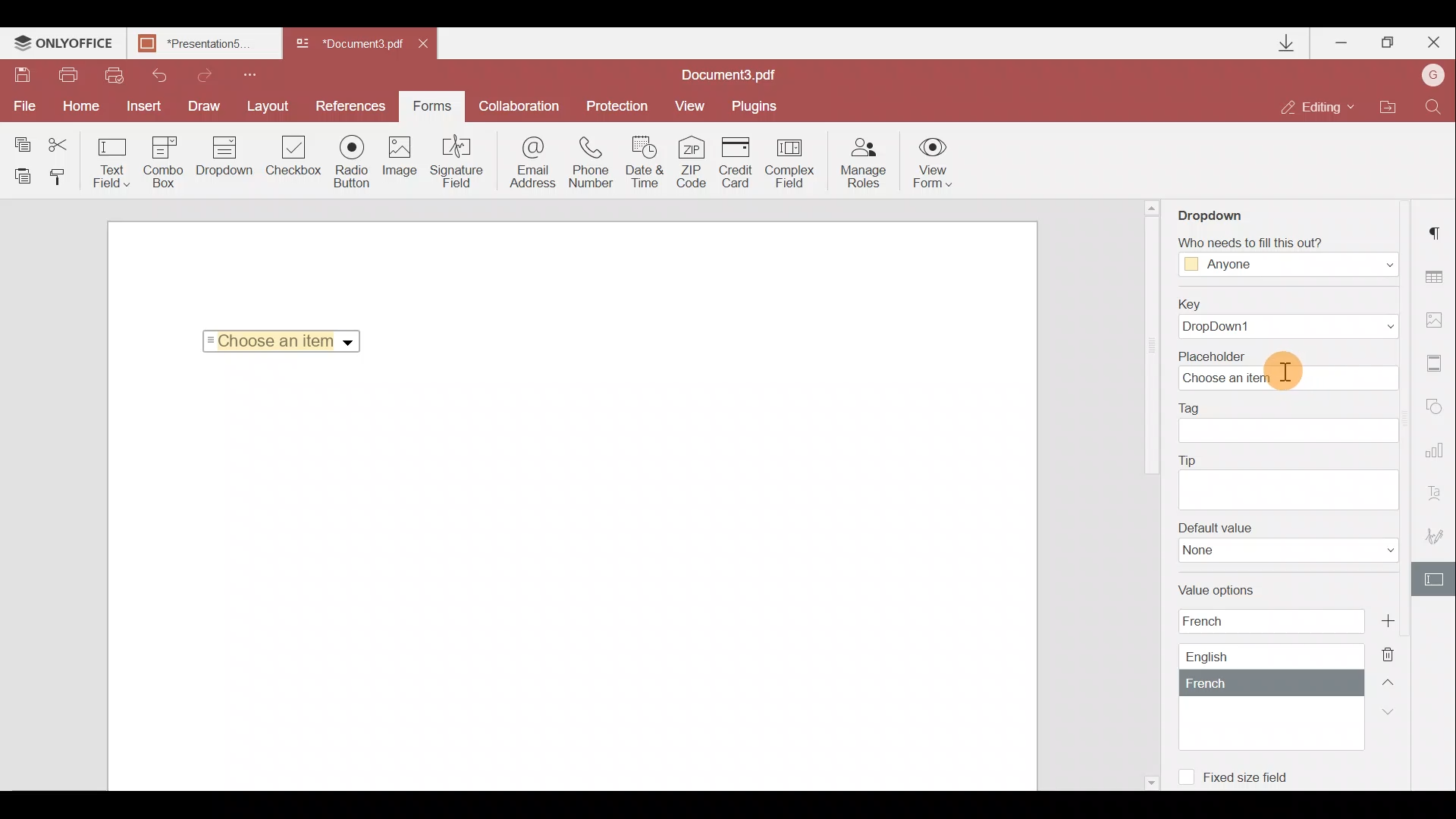 Image resolution: width=1456 pixels, height=819 pixels. Describe the element at coordinates (1434, 105) in the screenshot. I see `Find` at that location.